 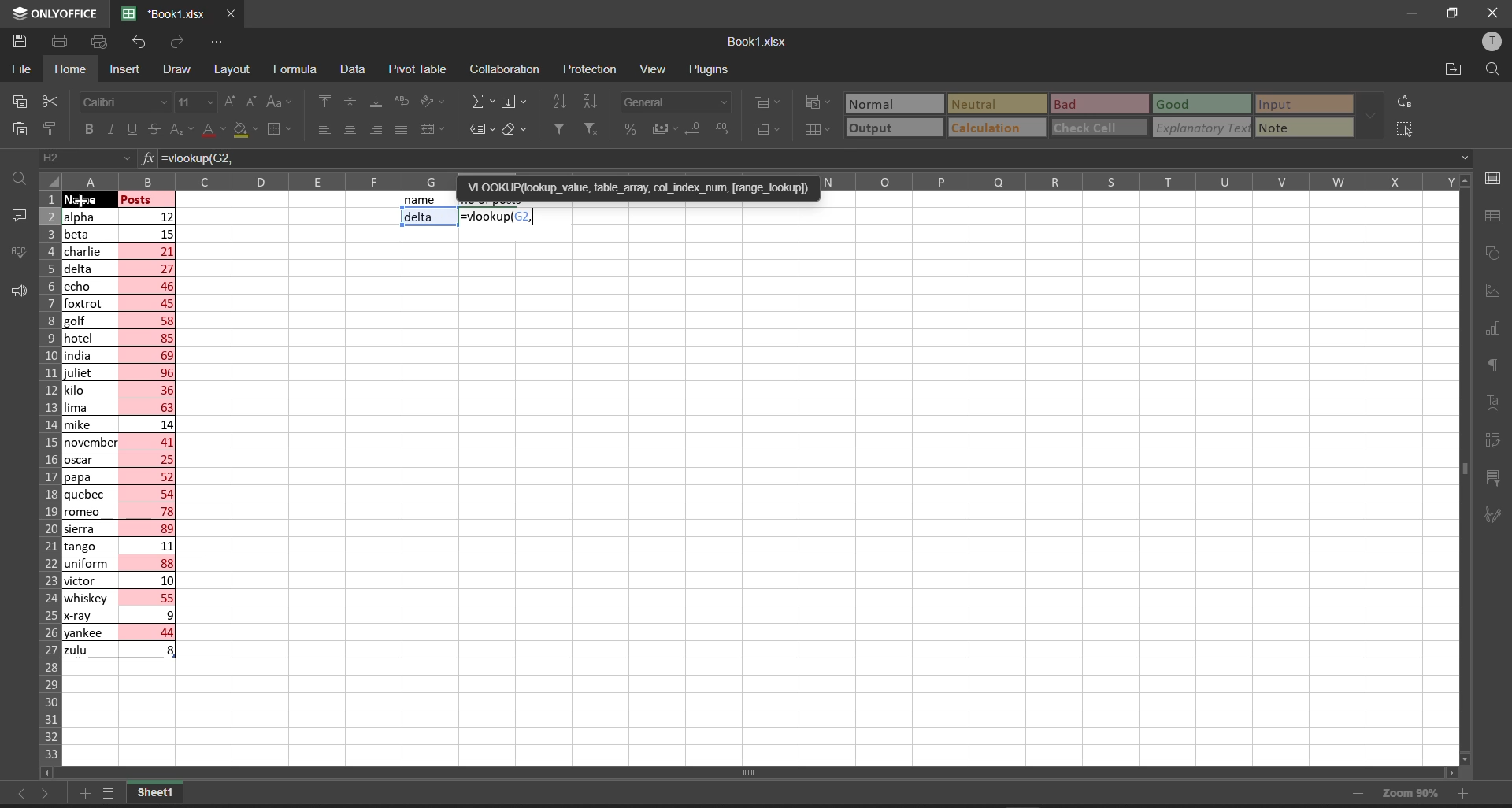 What do you see at coordinates (88, 129) in the screenshot?
I see `bold` at bounding box center [88, 129].